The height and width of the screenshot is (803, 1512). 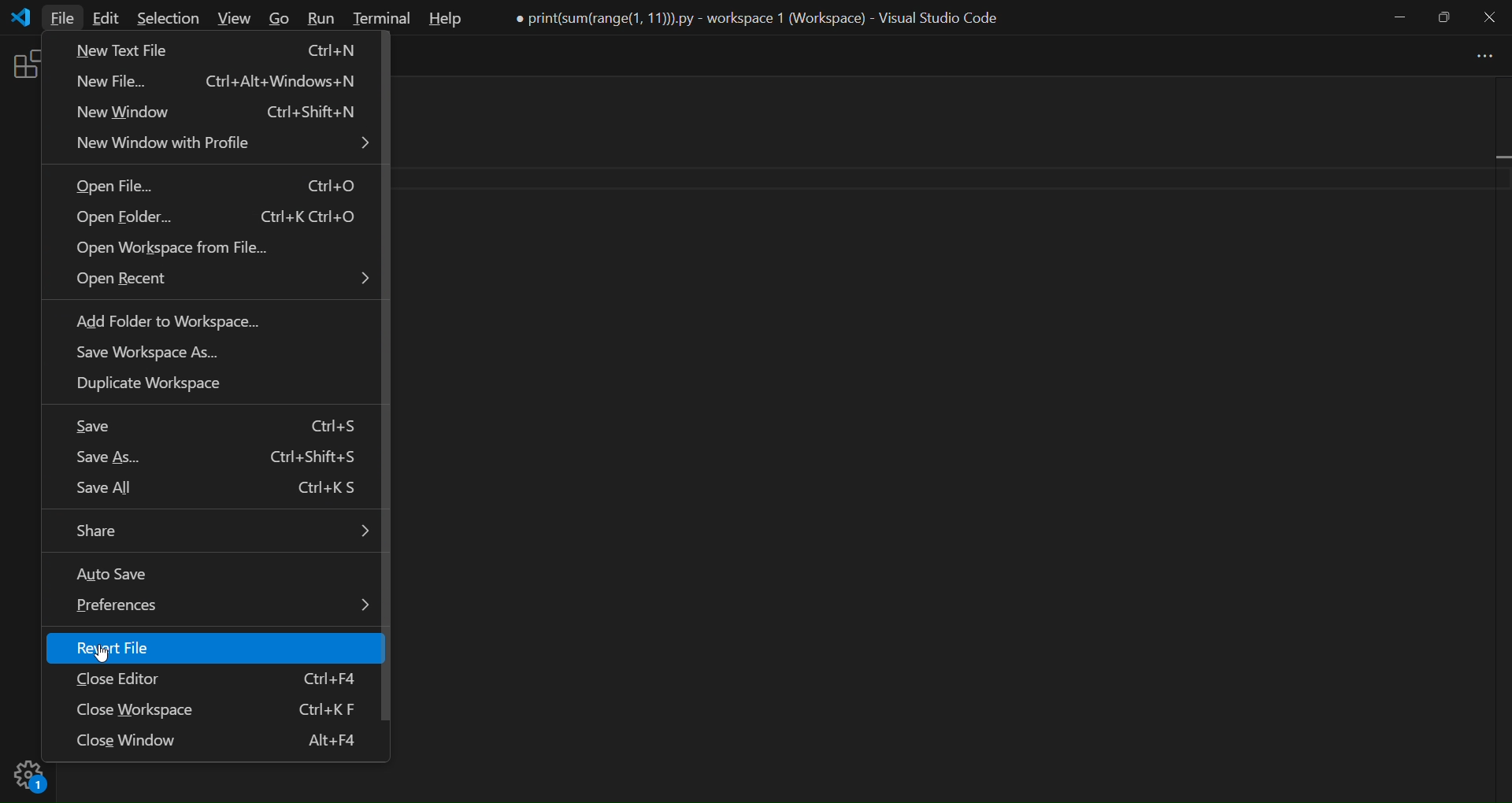 What do you see at coordinates (23, 18) in the screenshot?
I see `logo` at bounding box center [23, 18].